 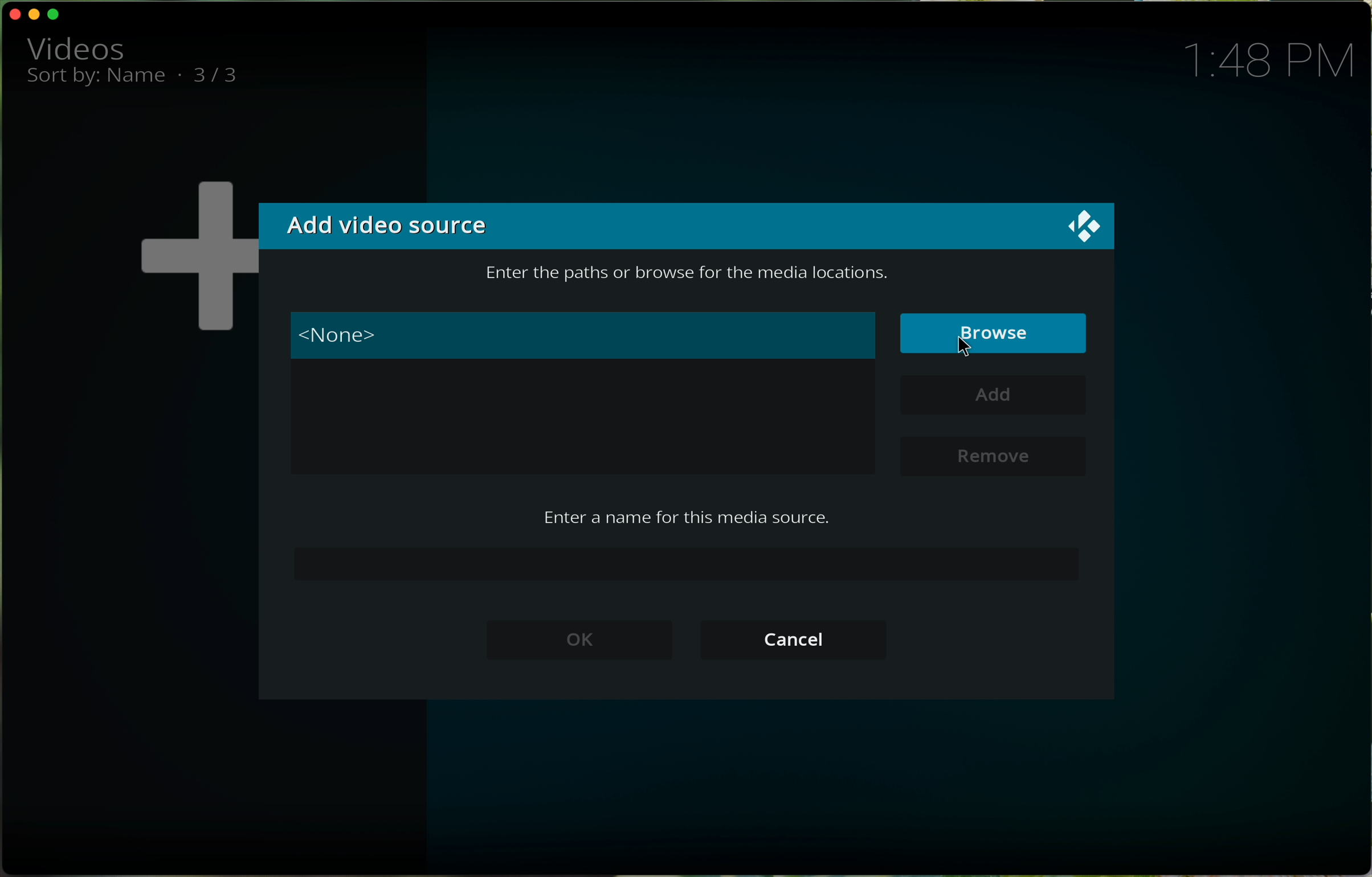 What do you see at coordinates (686, 516) in the screenshot?
I see `enter a name for this media source` at bounding box center [686, 516].